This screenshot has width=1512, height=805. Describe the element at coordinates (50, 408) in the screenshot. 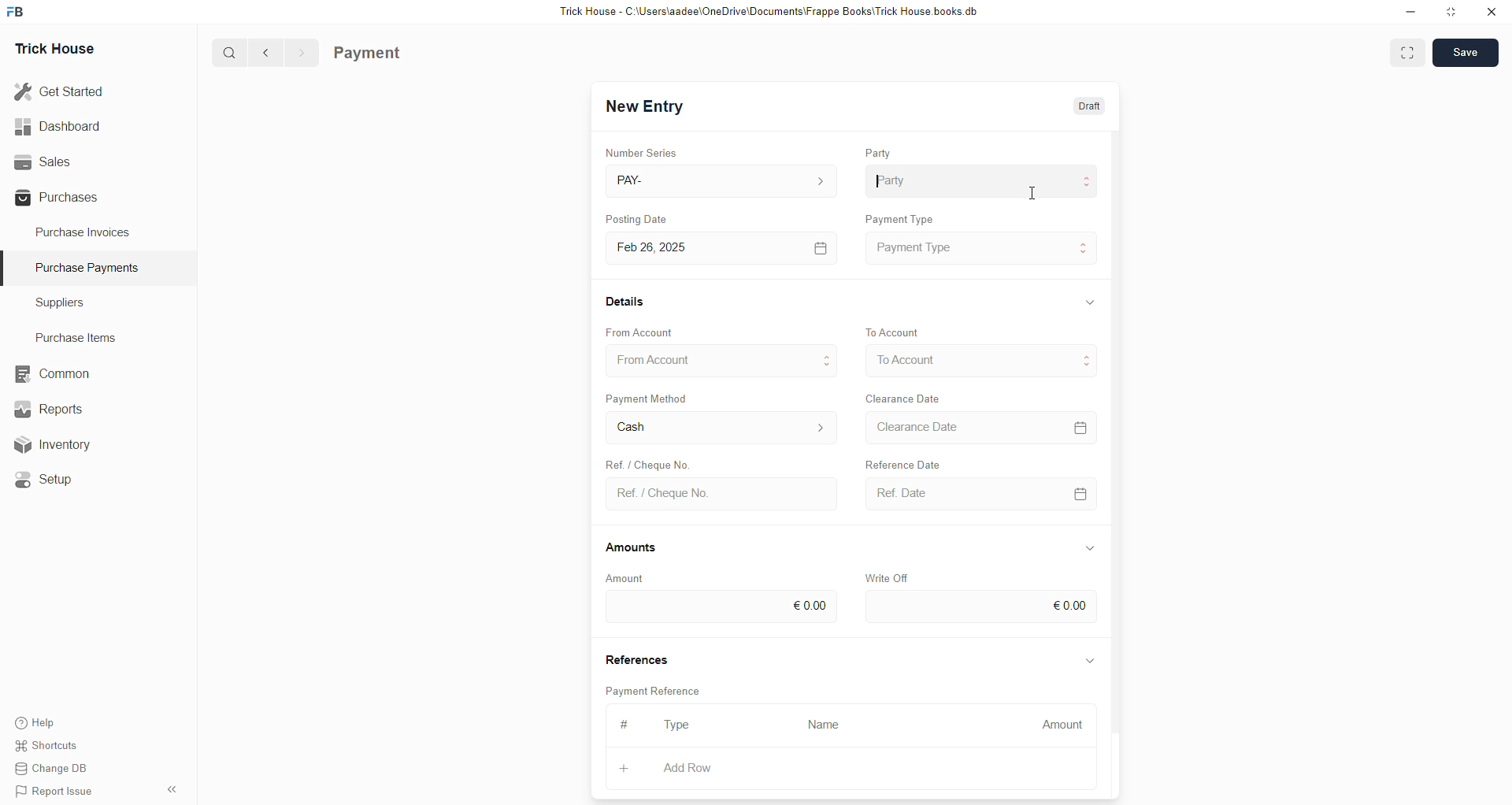

I see `Reports` at that location.